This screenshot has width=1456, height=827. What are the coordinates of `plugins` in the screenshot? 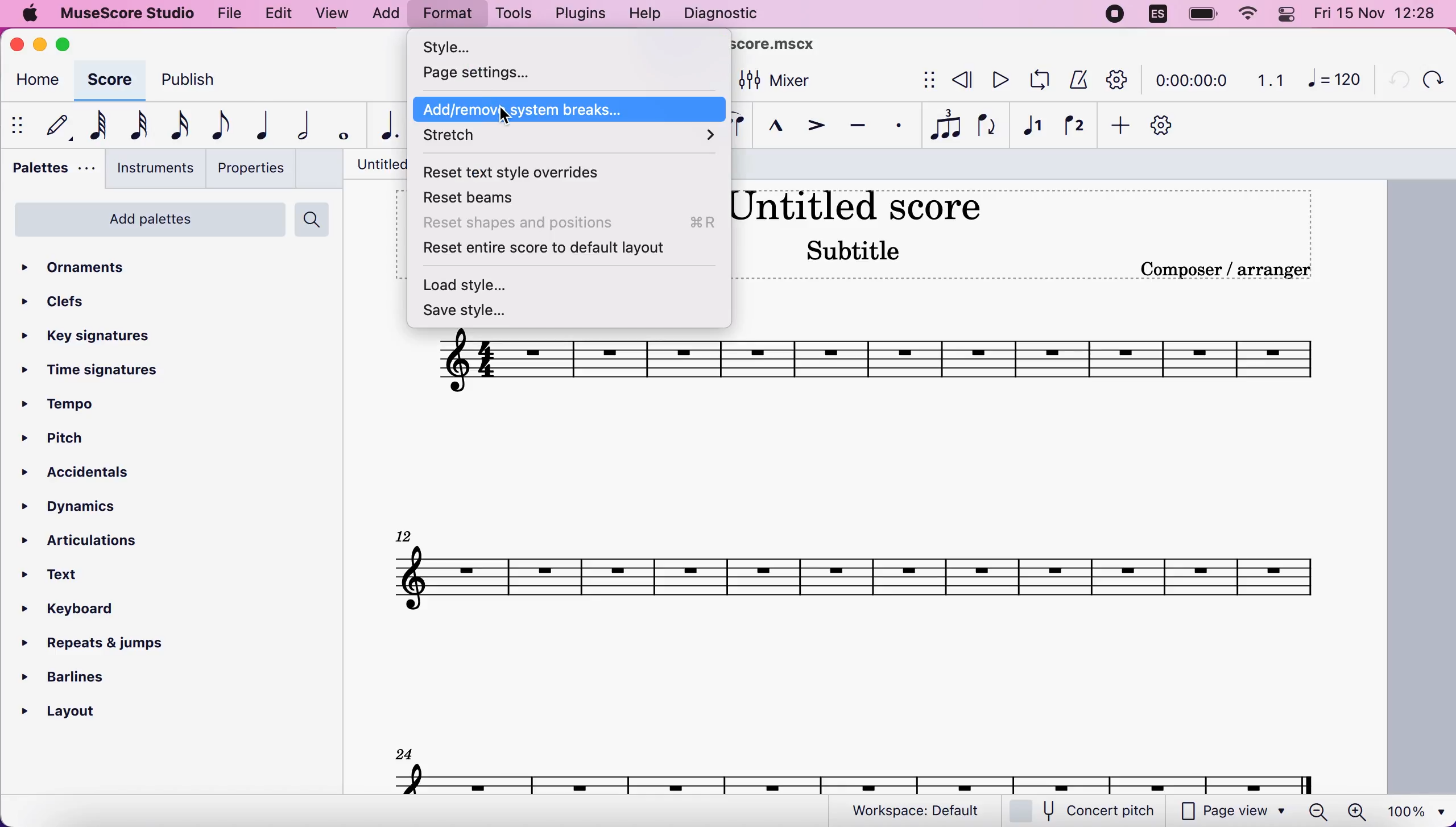 It's located at (578, 14).